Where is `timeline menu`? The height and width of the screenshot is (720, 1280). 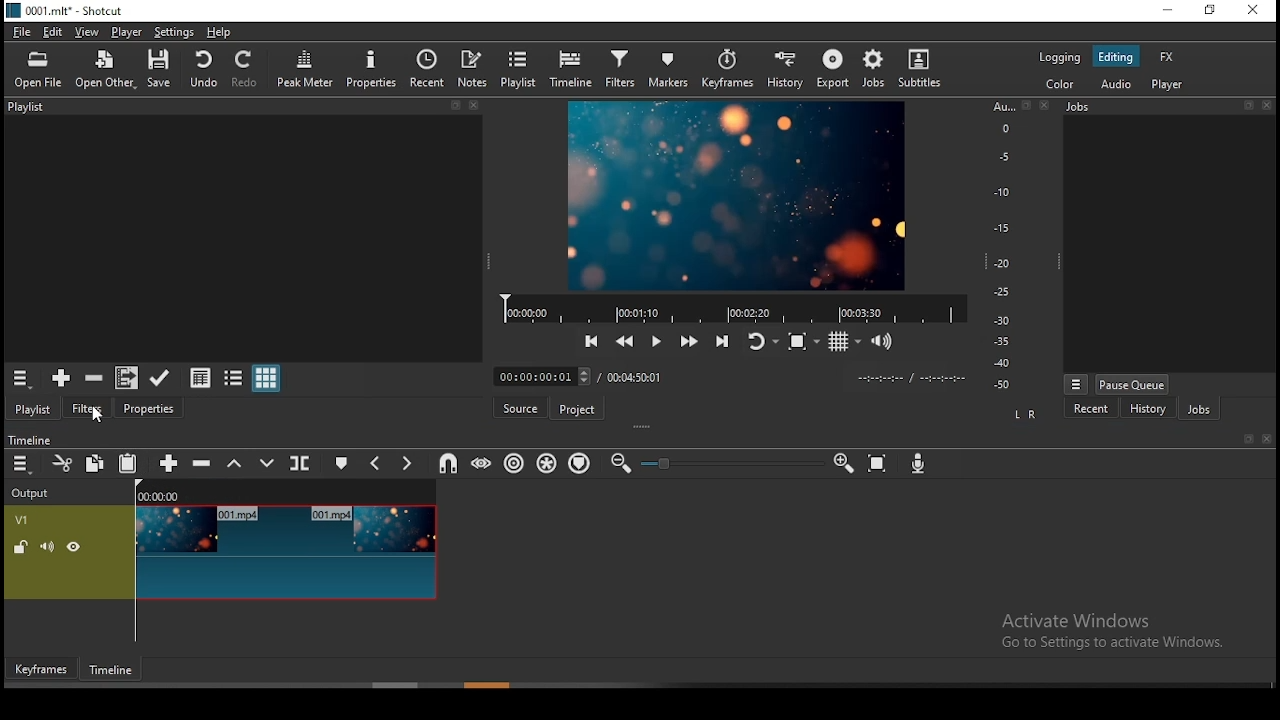 timeline menu is located at coordinates (23, 379).